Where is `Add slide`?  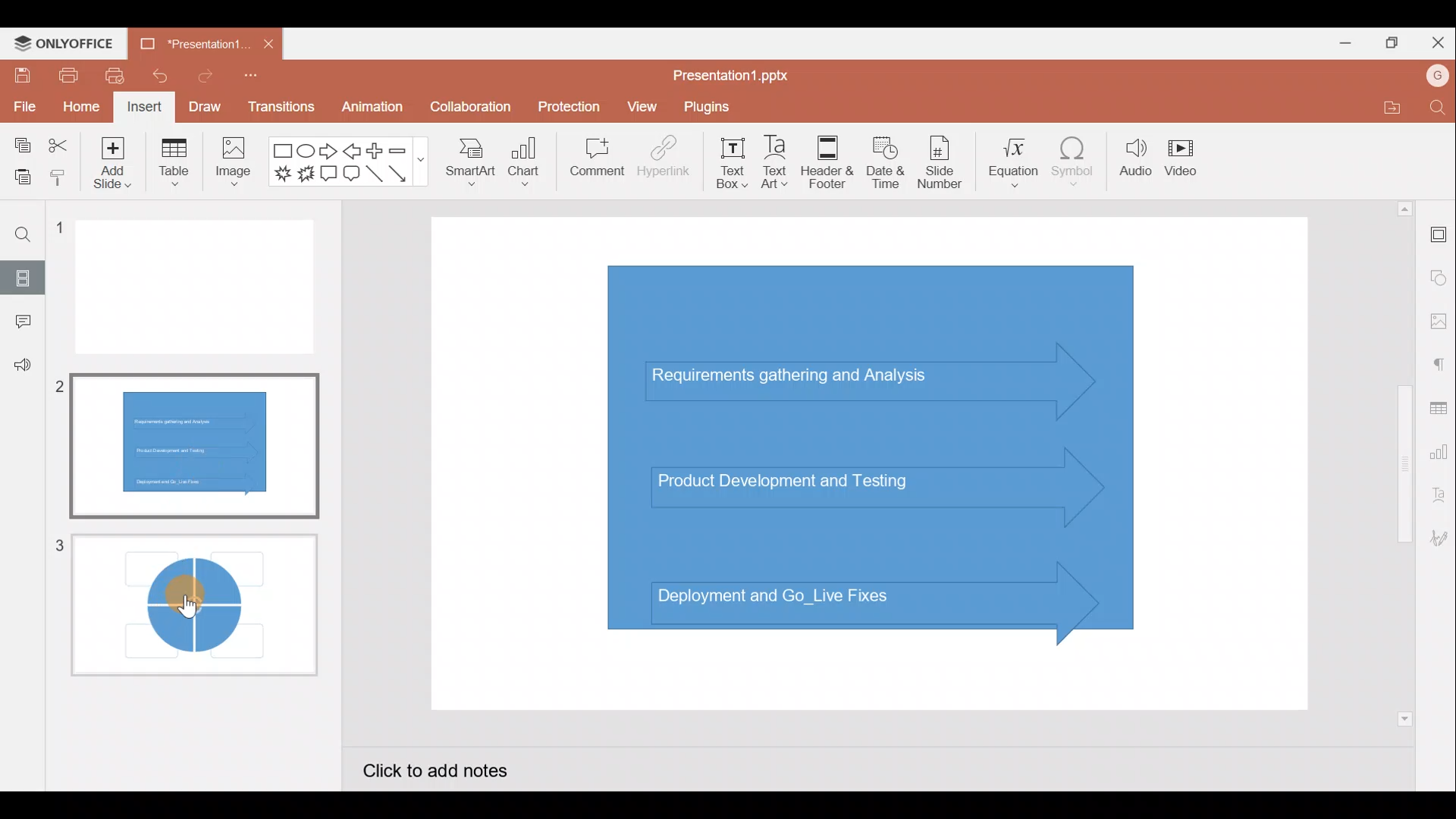 Add slide is located at coordinates (109, 165).